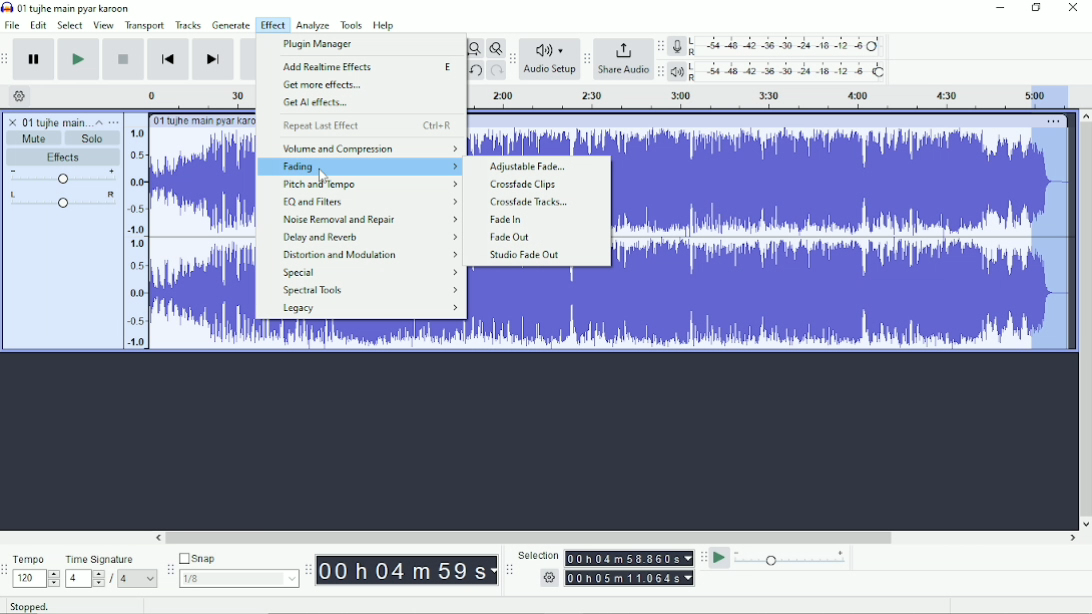  What do you see at coordinates (63, 177) in the screenshot?
I see `Volume` at bounding box center [63, 177].